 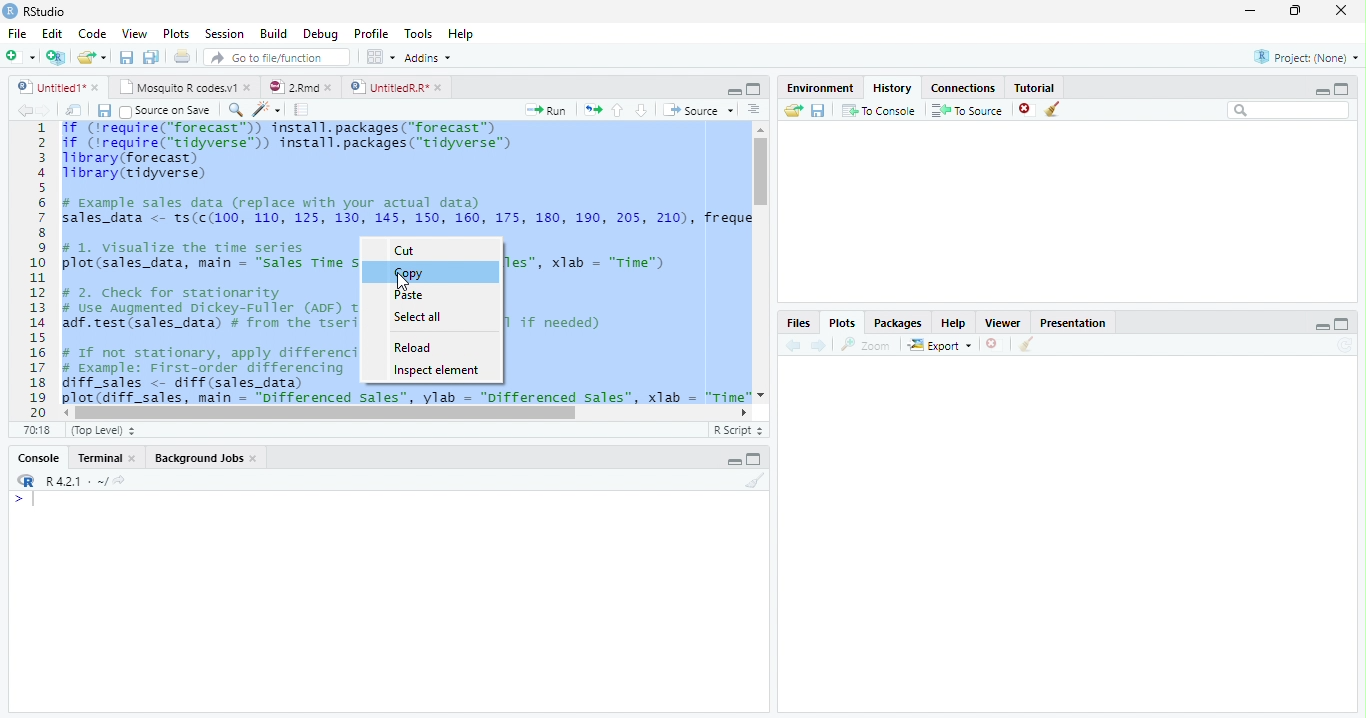 I want to click on R 4.2.1 . ~ /, so click(x=76, y=482).